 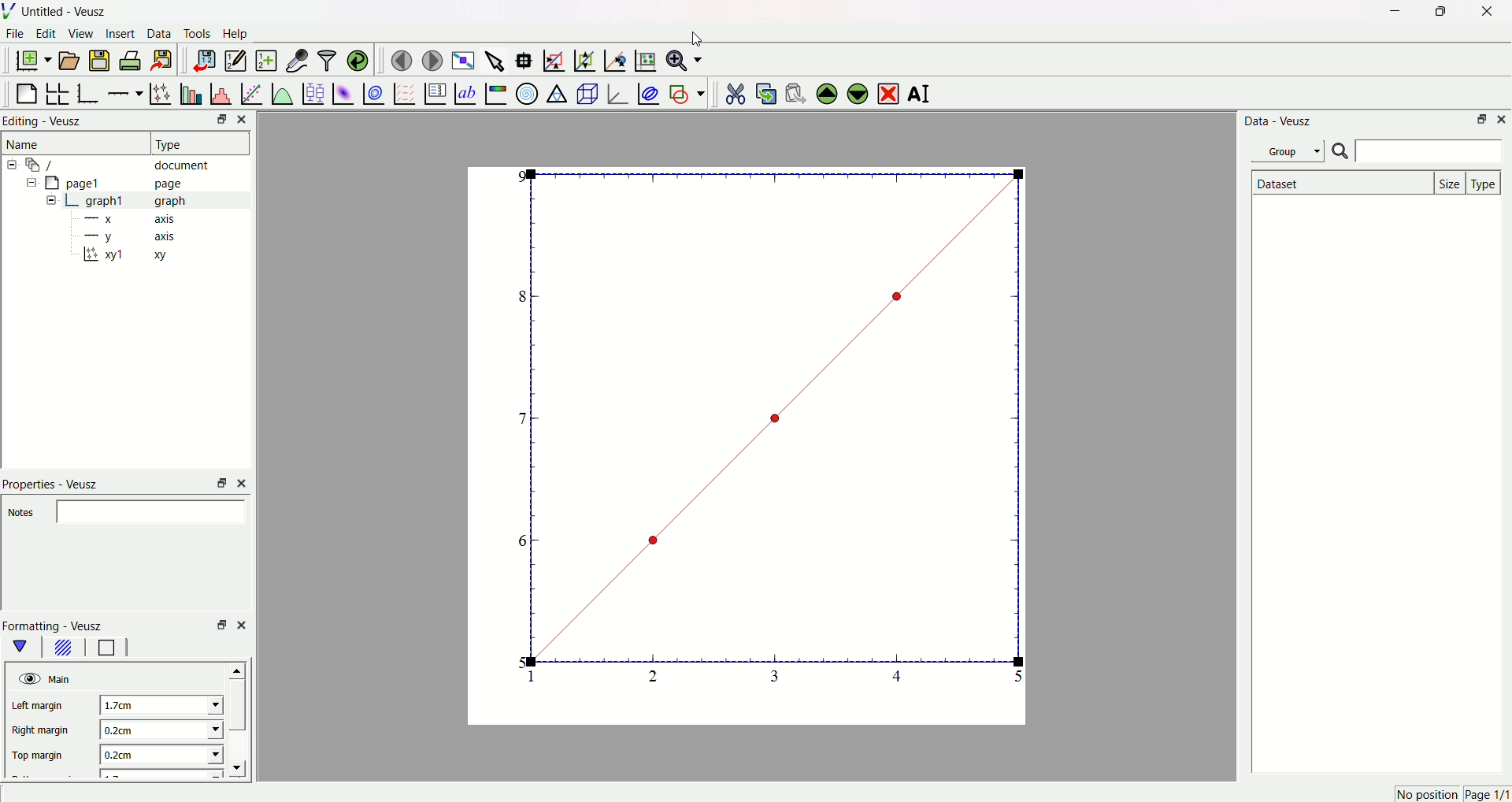 What do you see at coordinates (527, 91) in the screenshot?
I see `polar graphs` at bounding box center [527, 91].